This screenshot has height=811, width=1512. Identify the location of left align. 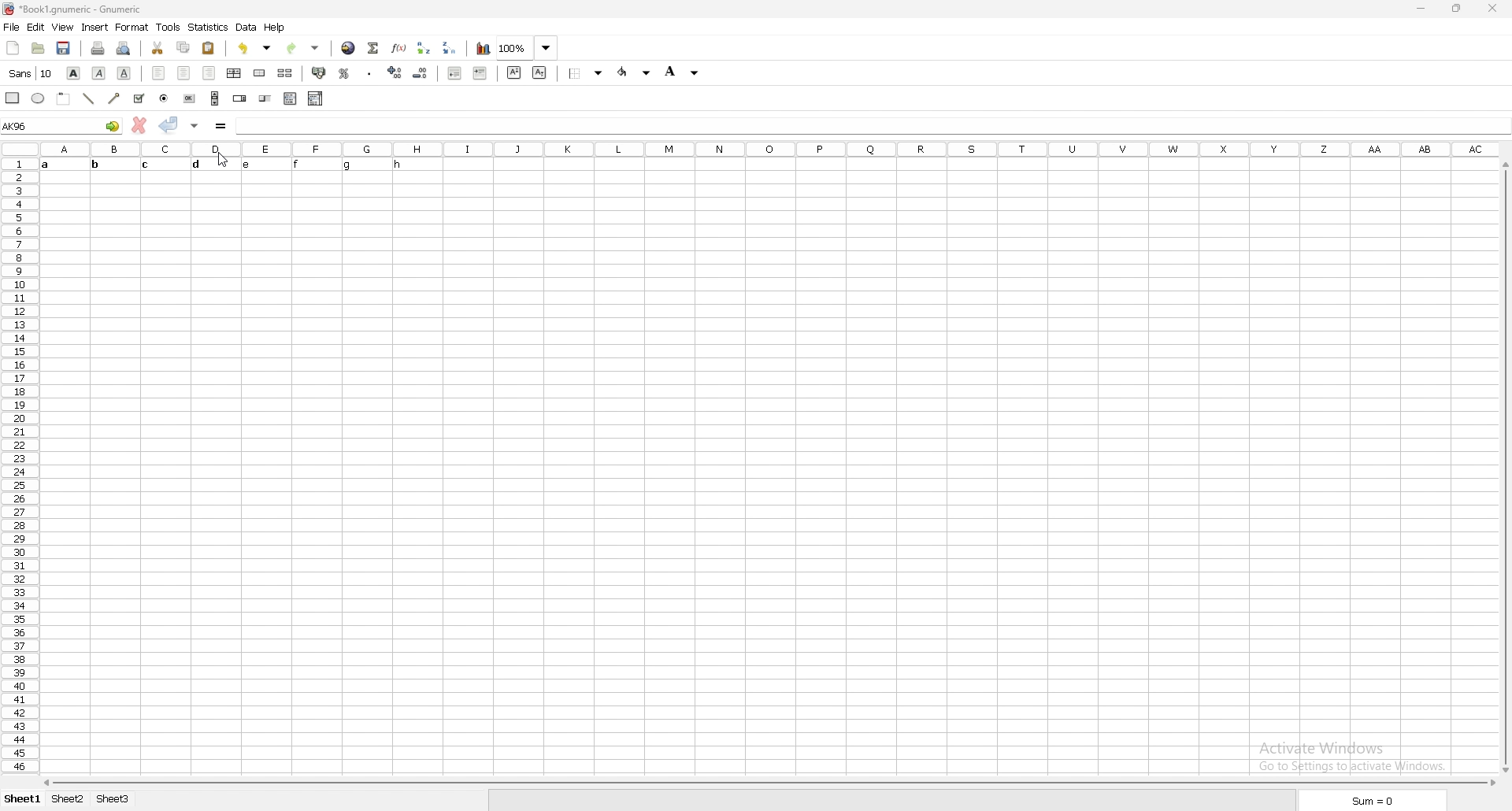
(158, 72).